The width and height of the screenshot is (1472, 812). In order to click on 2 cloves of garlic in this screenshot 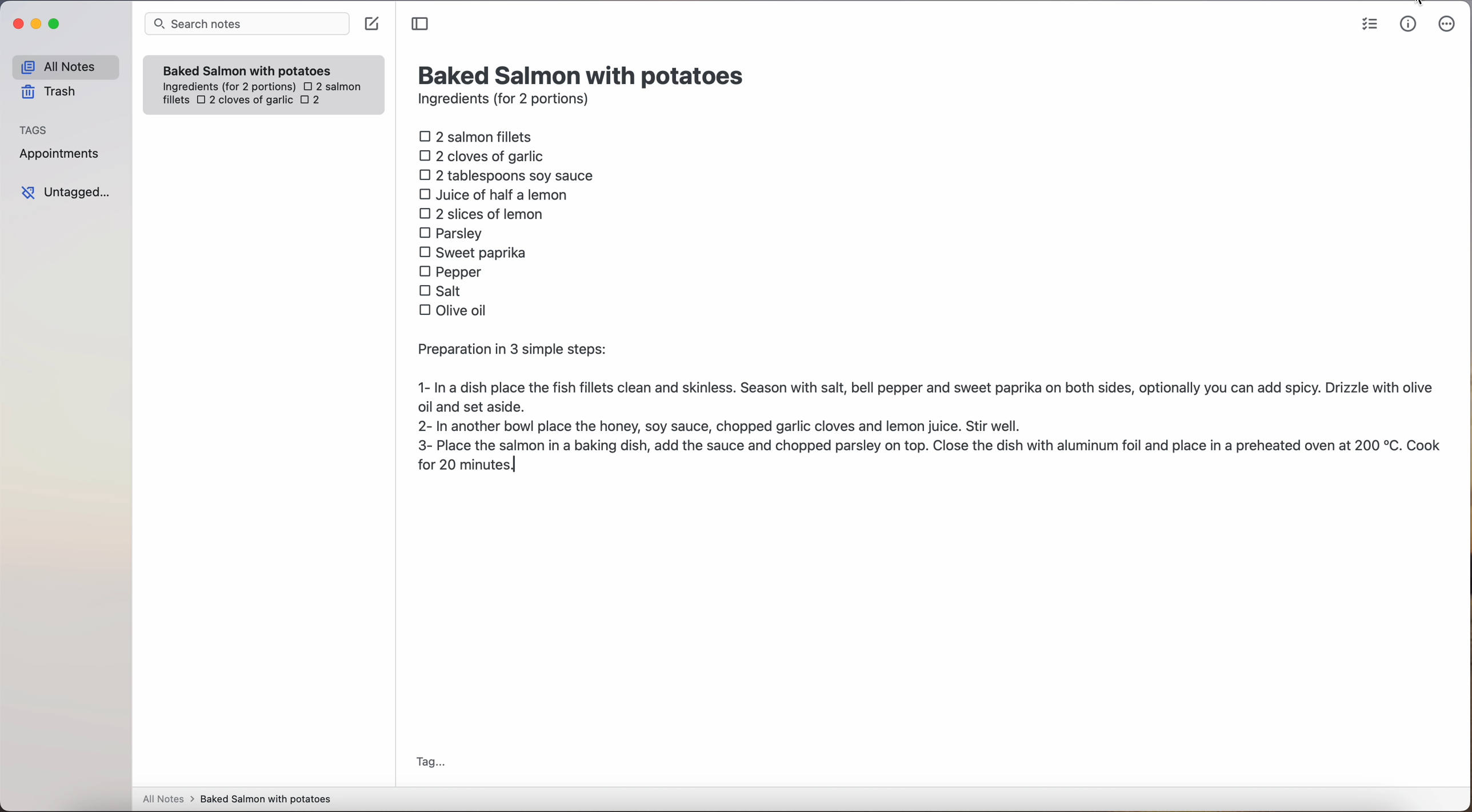, I will do `click(485, 154)`.